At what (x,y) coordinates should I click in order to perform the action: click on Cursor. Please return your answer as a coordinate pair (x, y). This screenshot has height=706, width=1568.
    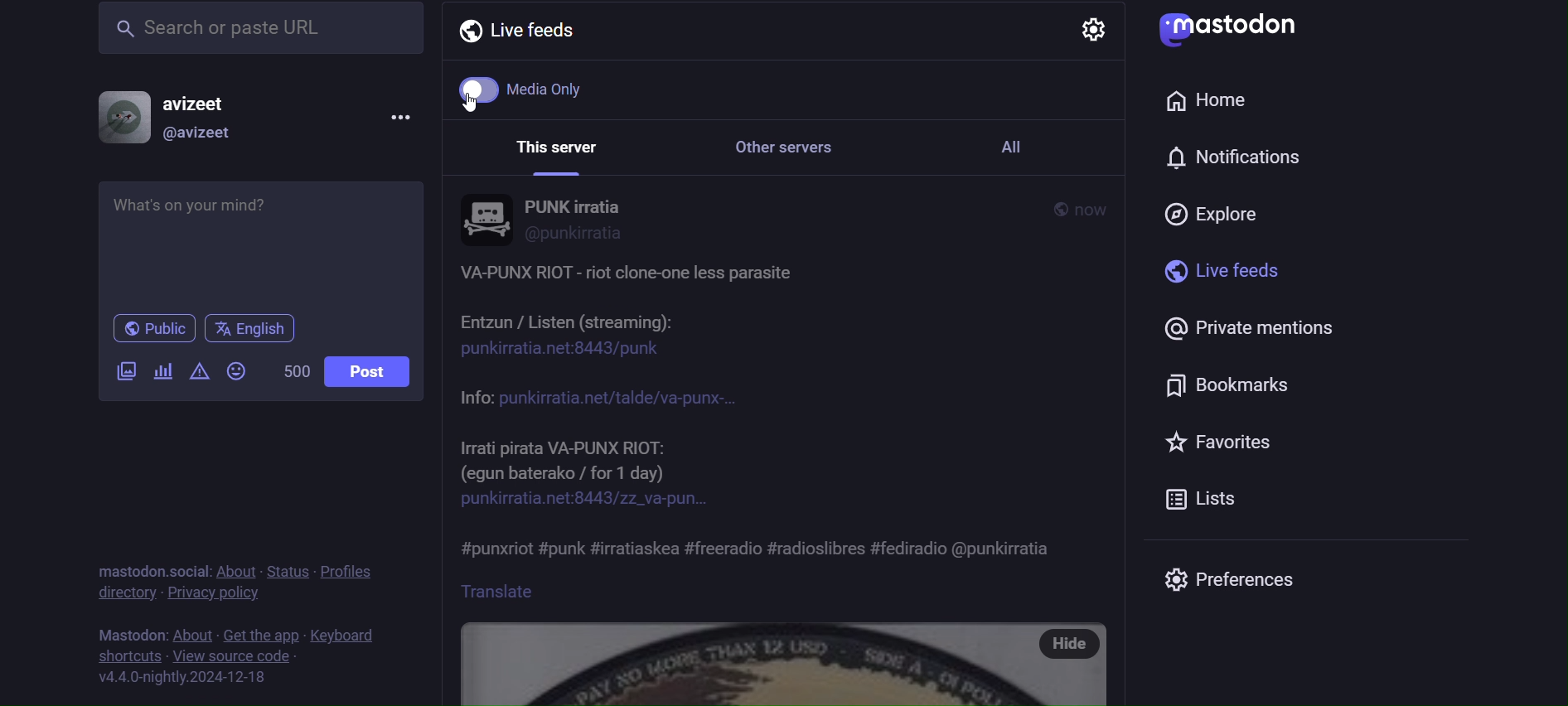
    Looking at the image, I should click on (480, 109).